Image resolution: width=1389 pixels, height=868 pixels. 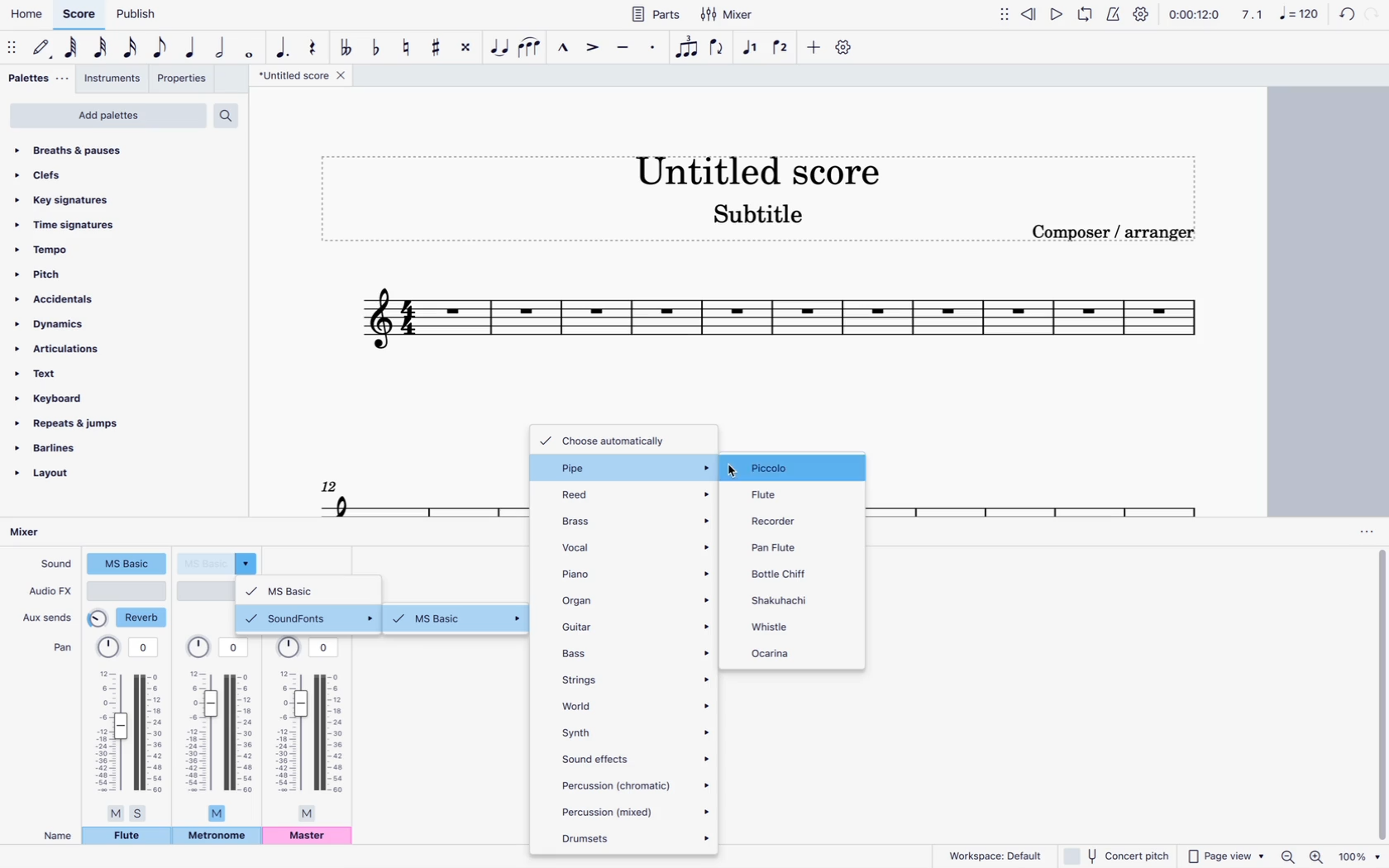 I want to click on rewind, so click(x=1029, y=17).